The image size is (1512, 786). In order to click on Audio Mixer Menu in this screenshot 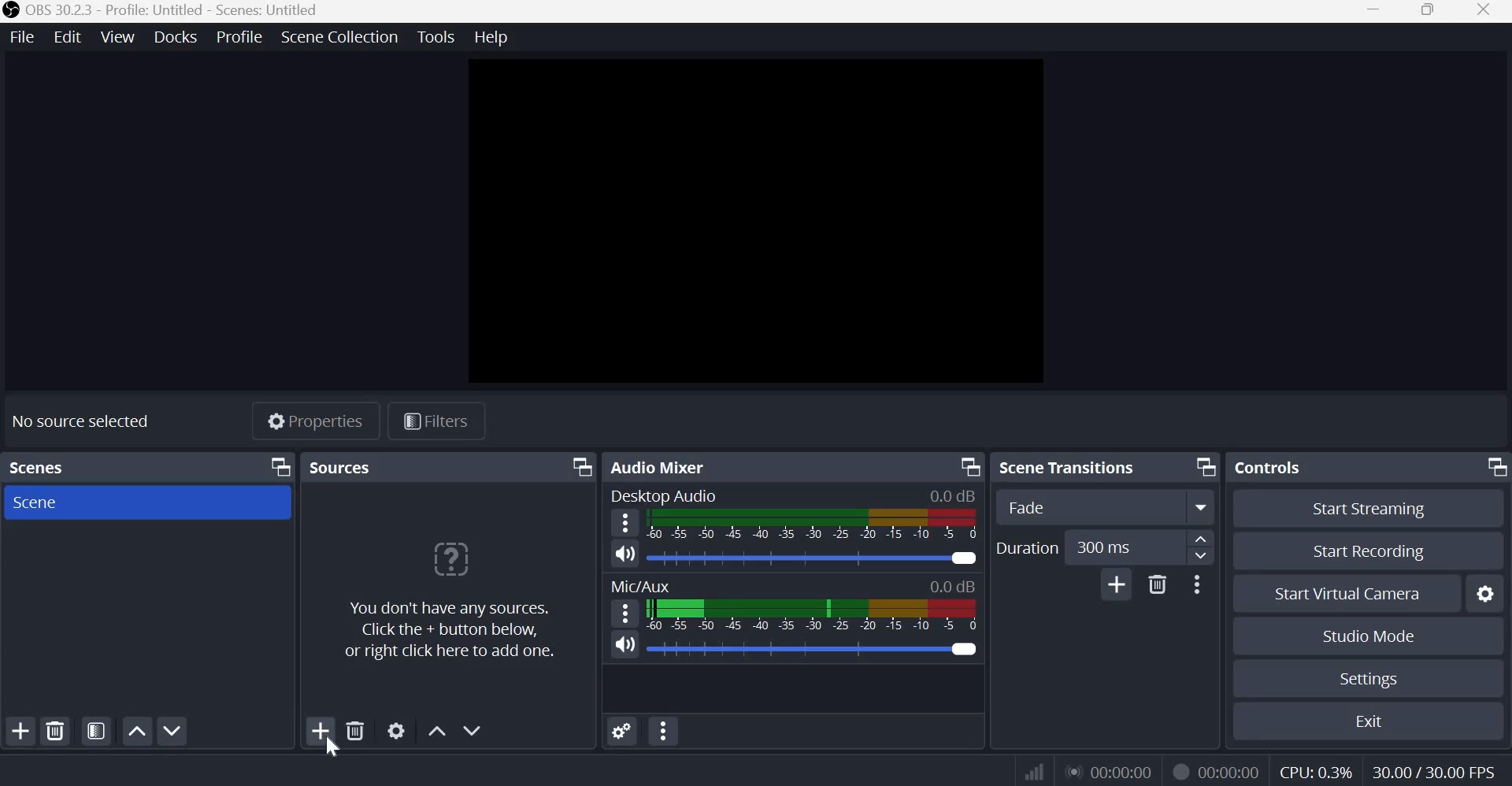, I will do `click(664, 732)`.